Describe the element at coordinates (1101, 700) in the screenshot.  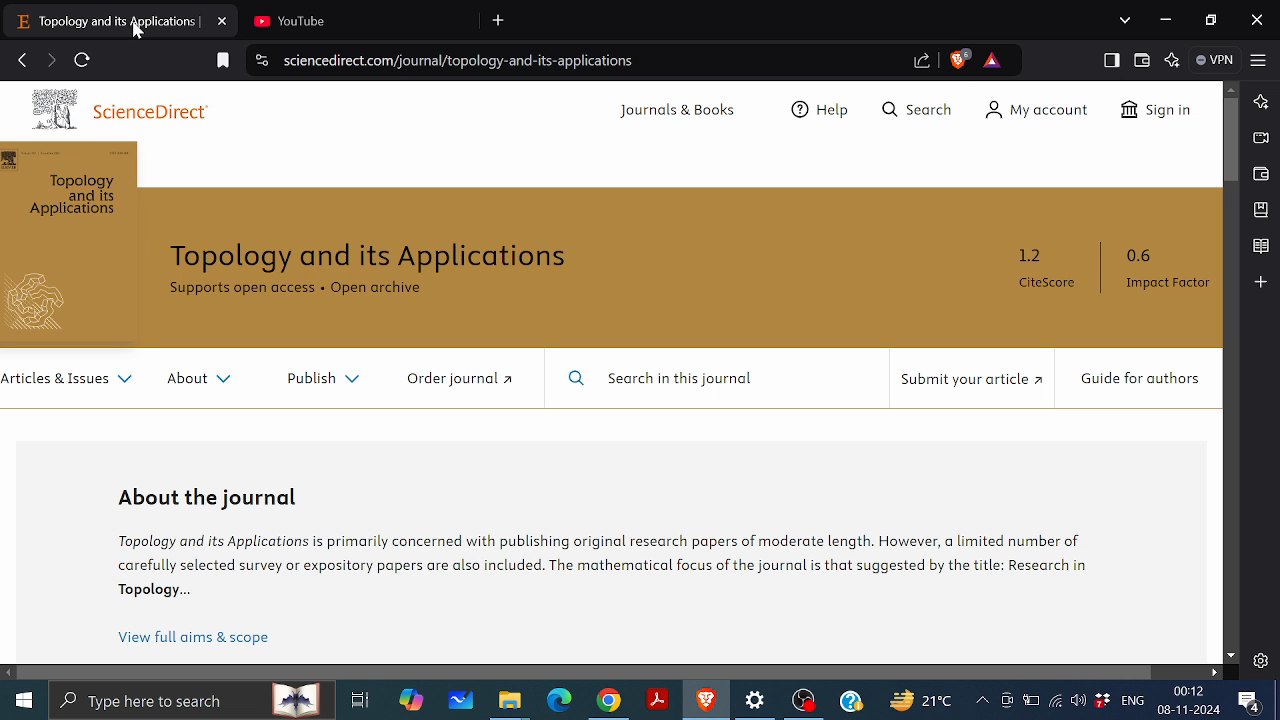
I see `Dropbox` at that location.